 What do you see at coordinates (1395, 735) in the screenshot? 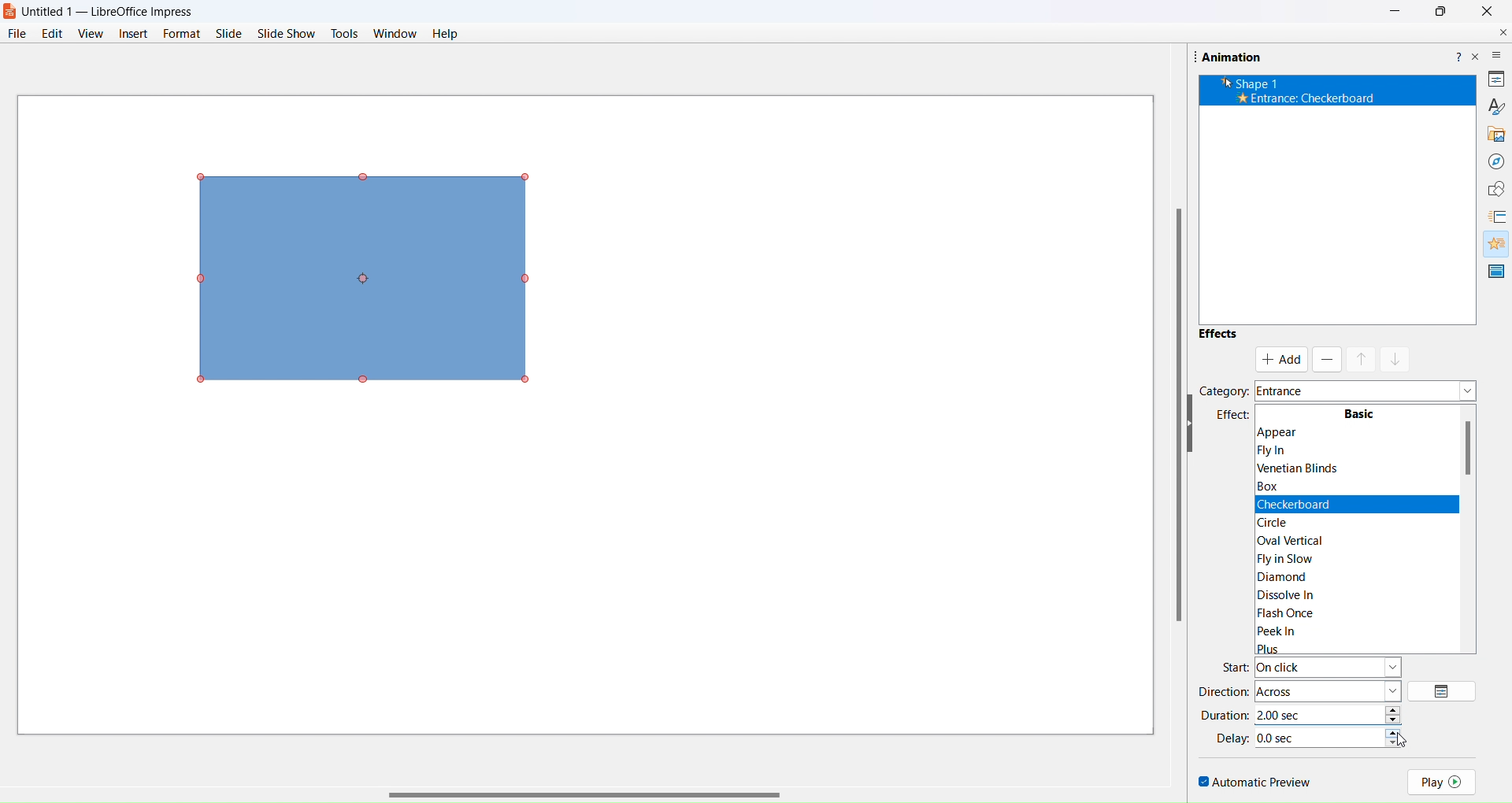
I see `increase/decrease` at bounding box center [1395, 735].